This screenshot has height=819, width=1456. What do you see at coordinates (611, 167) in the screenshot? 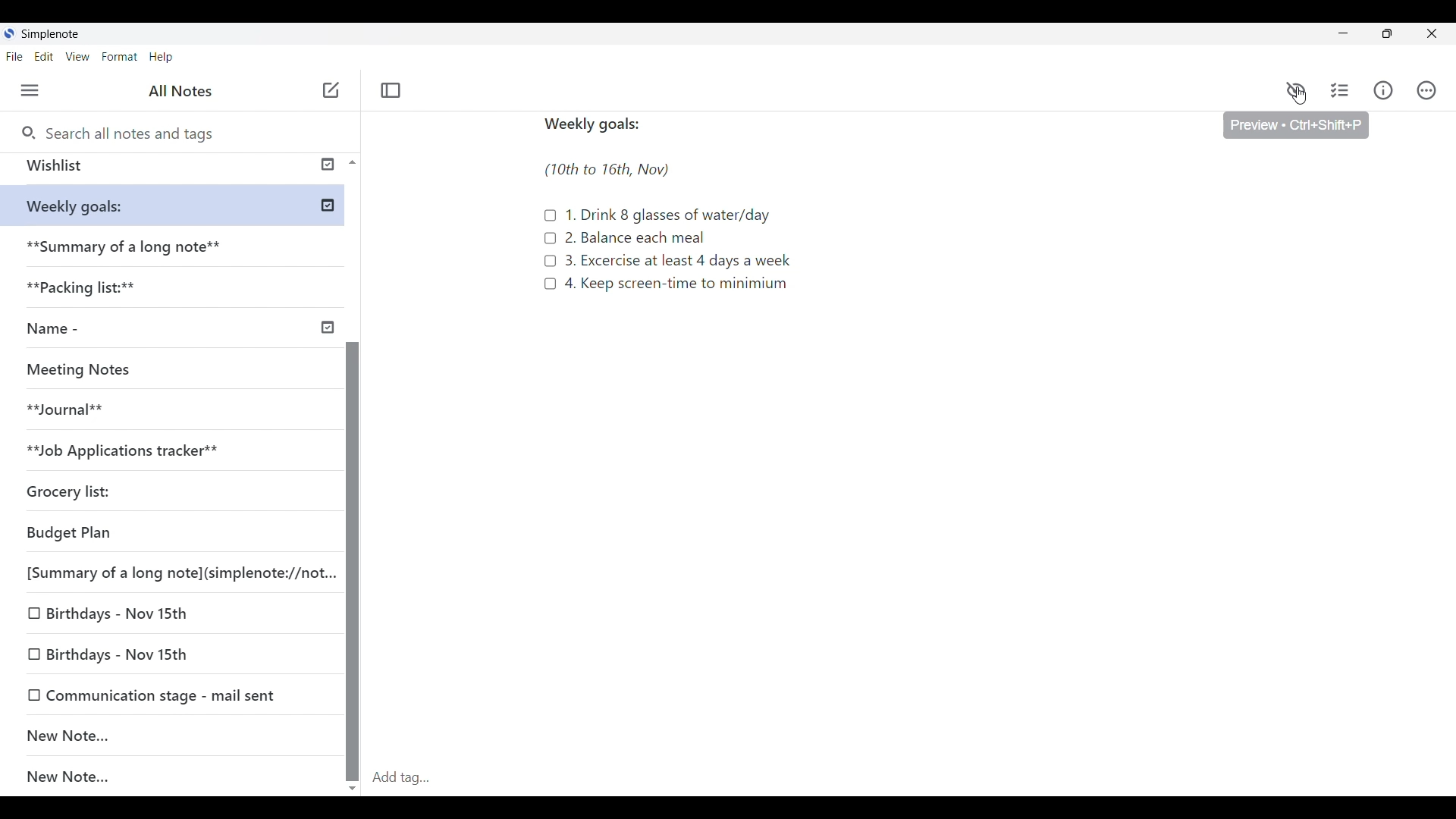
I see `(10th to 16th, Nov)` at bounding box center [611, 167].